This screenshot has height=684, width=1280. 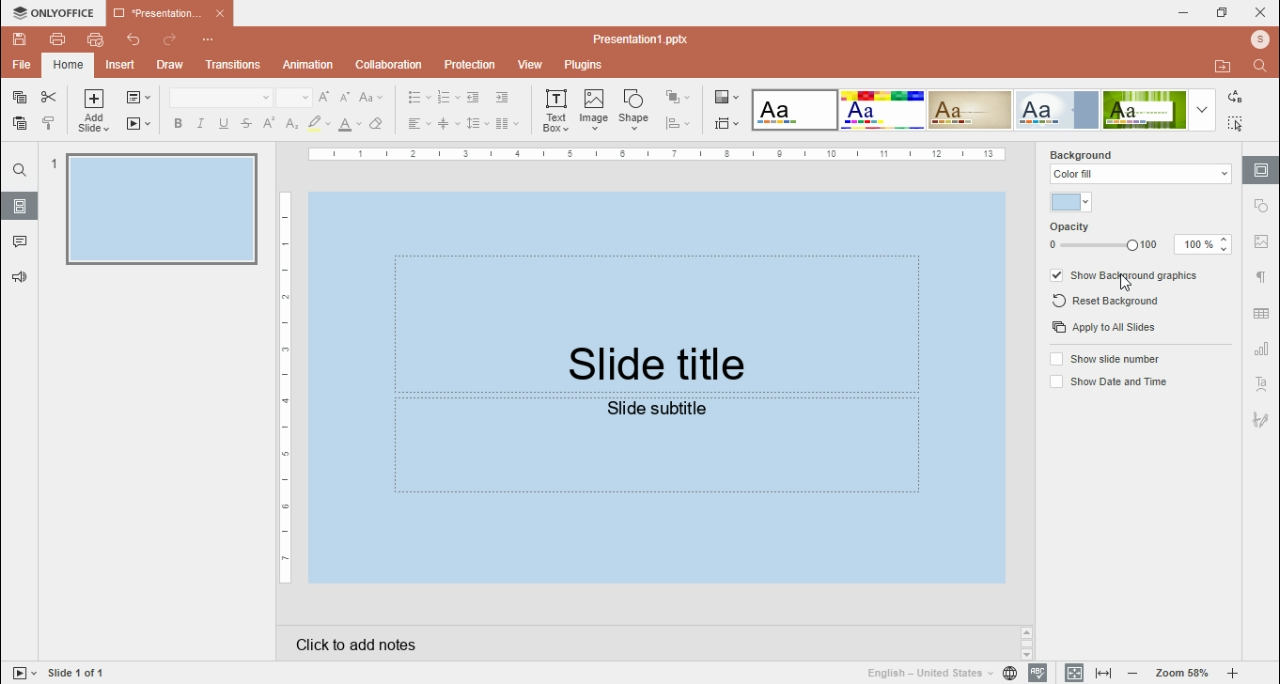 What do you see at coordinates (169, 65) in the screenshot?
I see `draw` at bounding box center [169, 65].